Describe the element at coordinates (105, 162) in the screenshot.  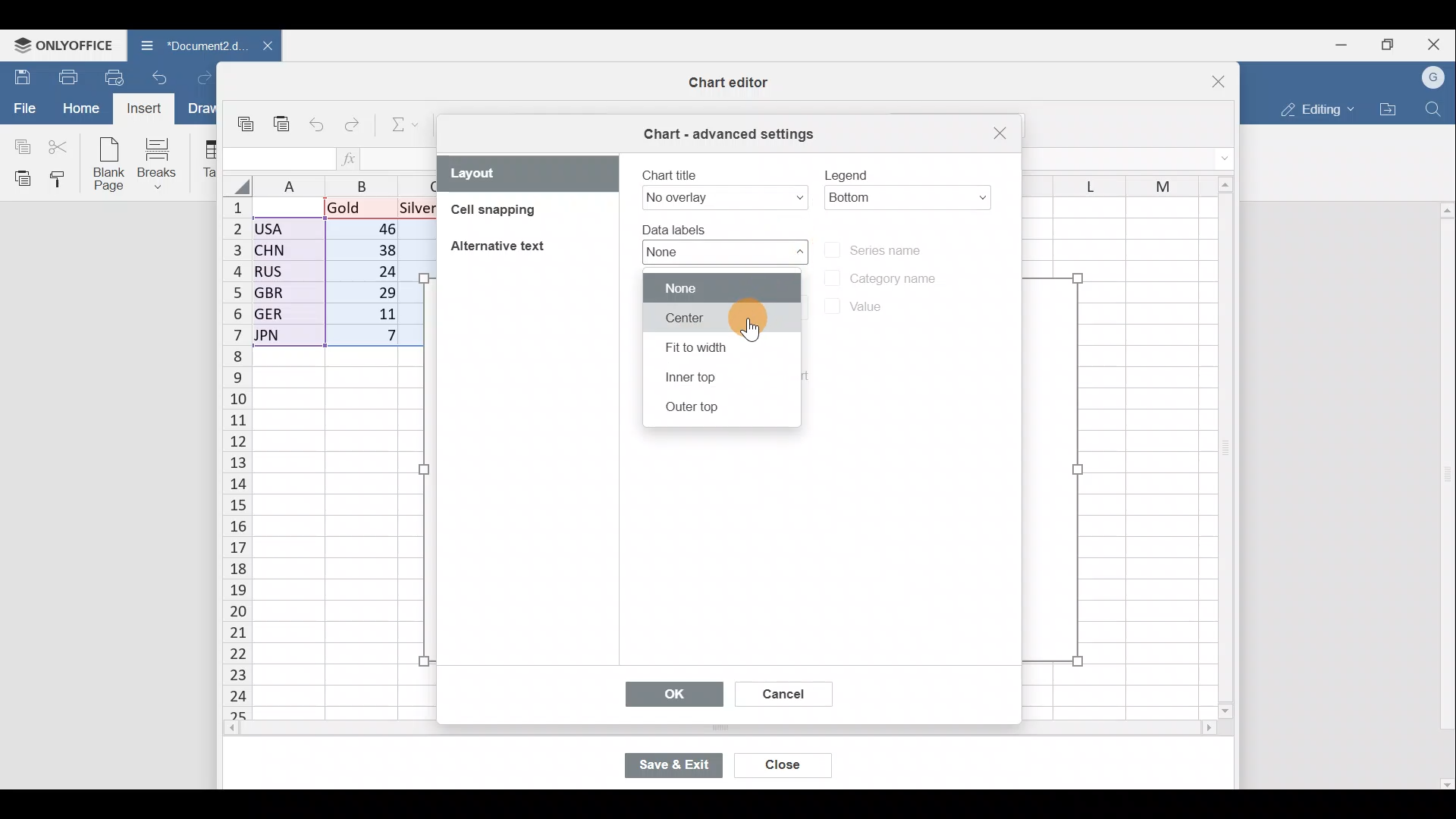
I see `Blank page` at that location.